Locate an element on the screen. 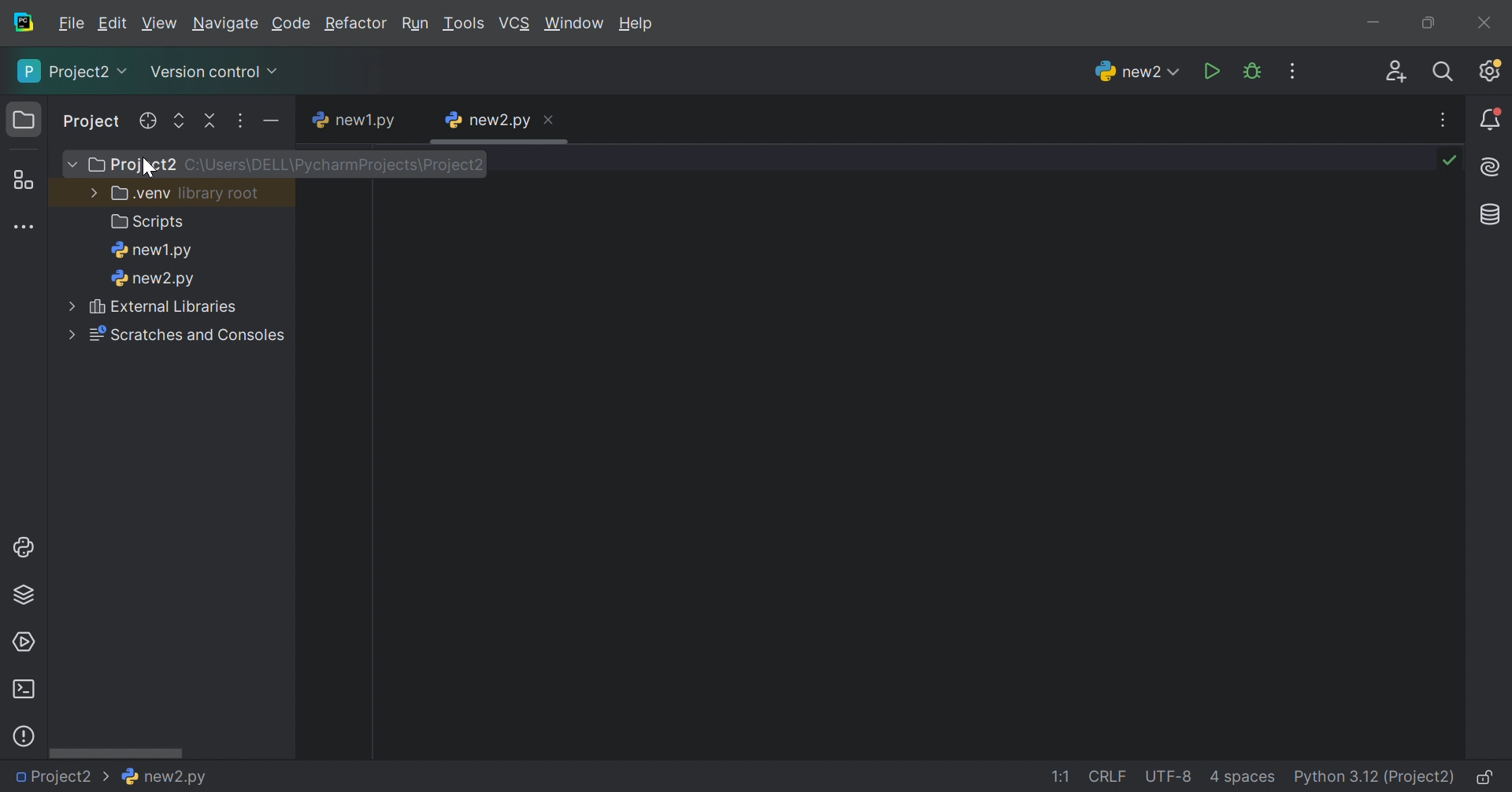  Scroll bar is located at coordinates (114, 749).